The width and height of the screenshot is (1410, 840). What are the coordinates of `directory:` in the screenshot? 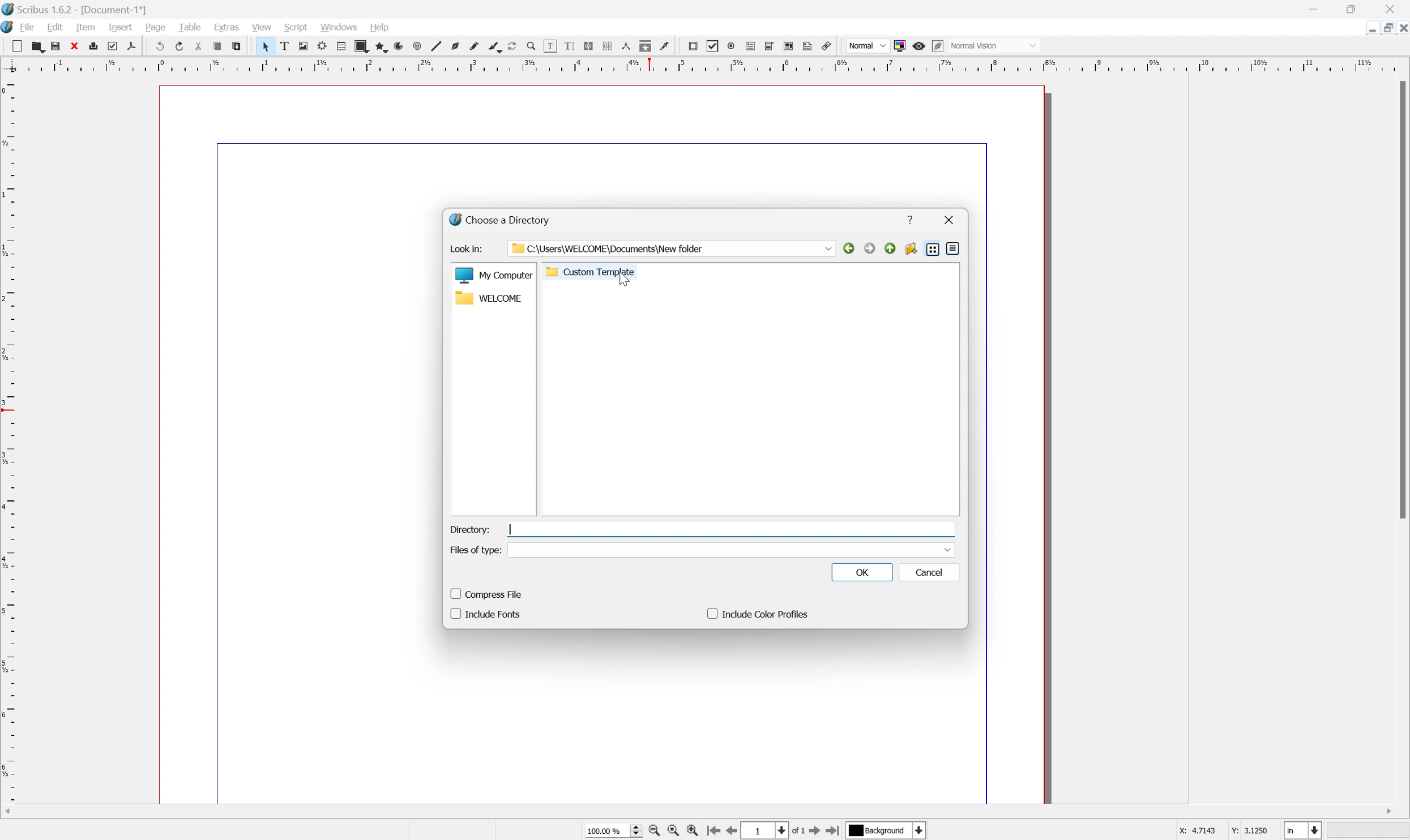 It's located at (472, 529).